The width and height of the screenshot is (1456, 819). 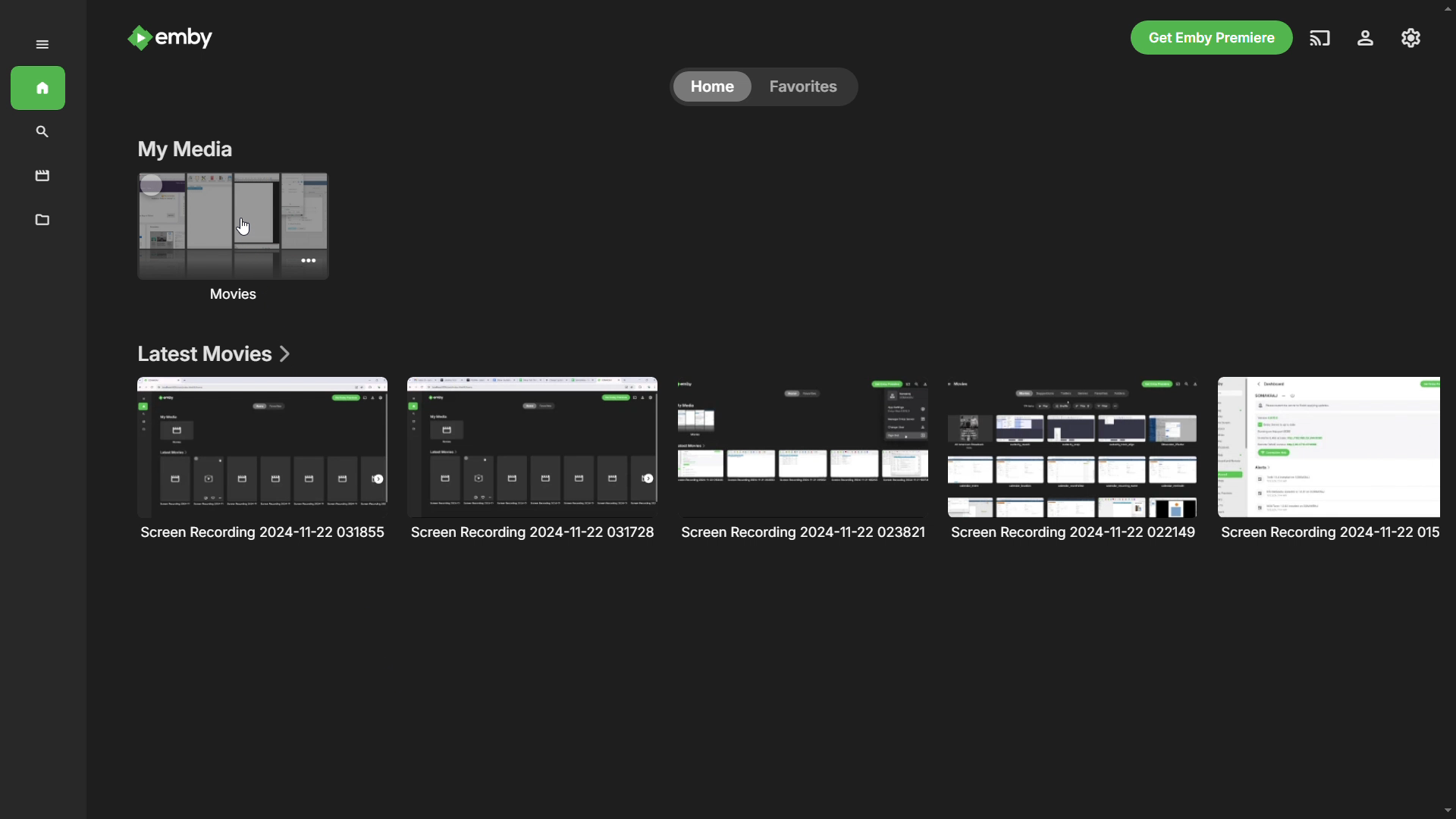 What do you see at coordinates (712, 88) in the screenshot?
I see `home` at bounding box center [712, 88].